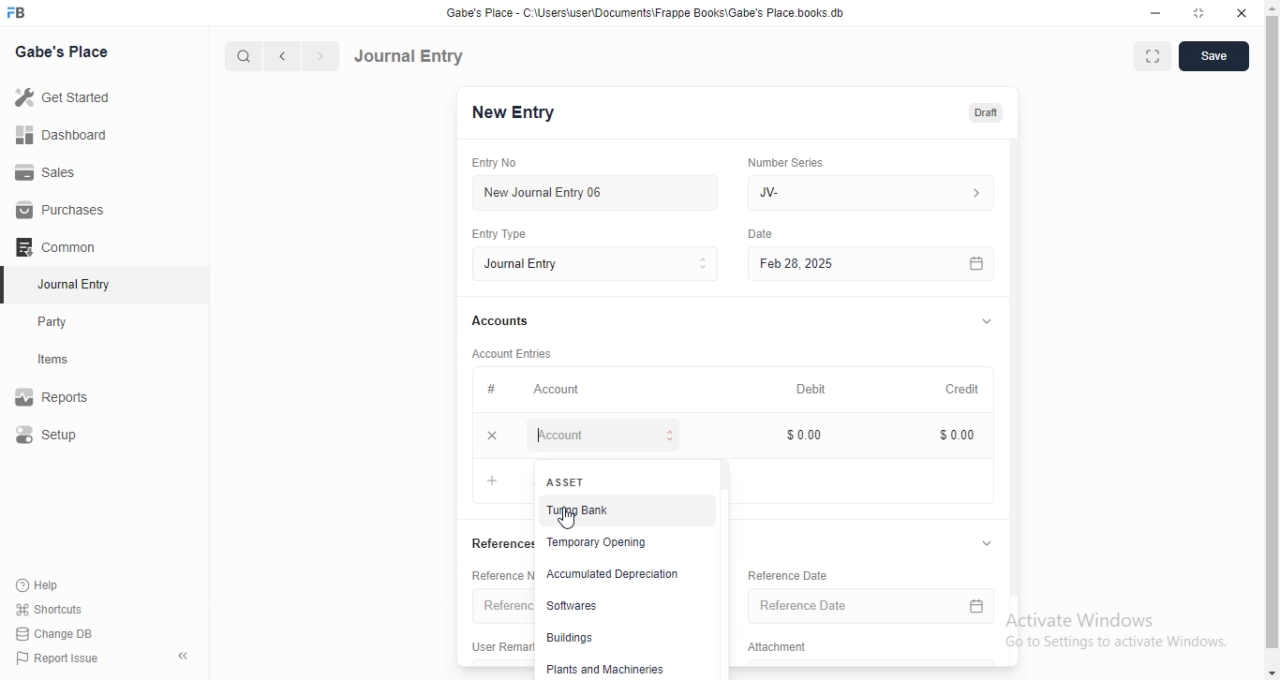  I want to click on Accounts., so click(518, 322).